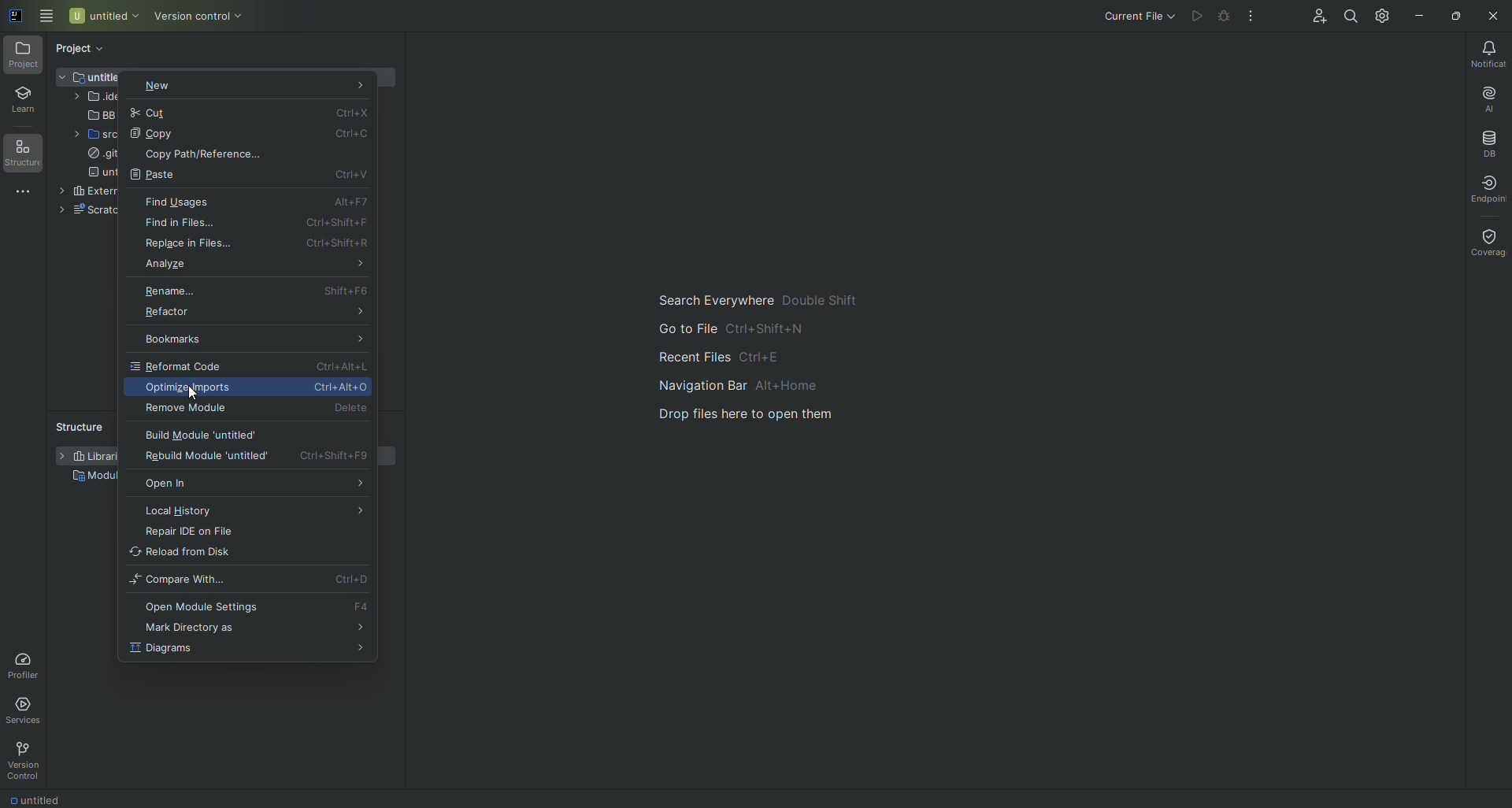 This screenshot has width=1512, height=808. Describe the element at coordinates (1488, 240) in the screenshot. I see `Coverage` at that location.